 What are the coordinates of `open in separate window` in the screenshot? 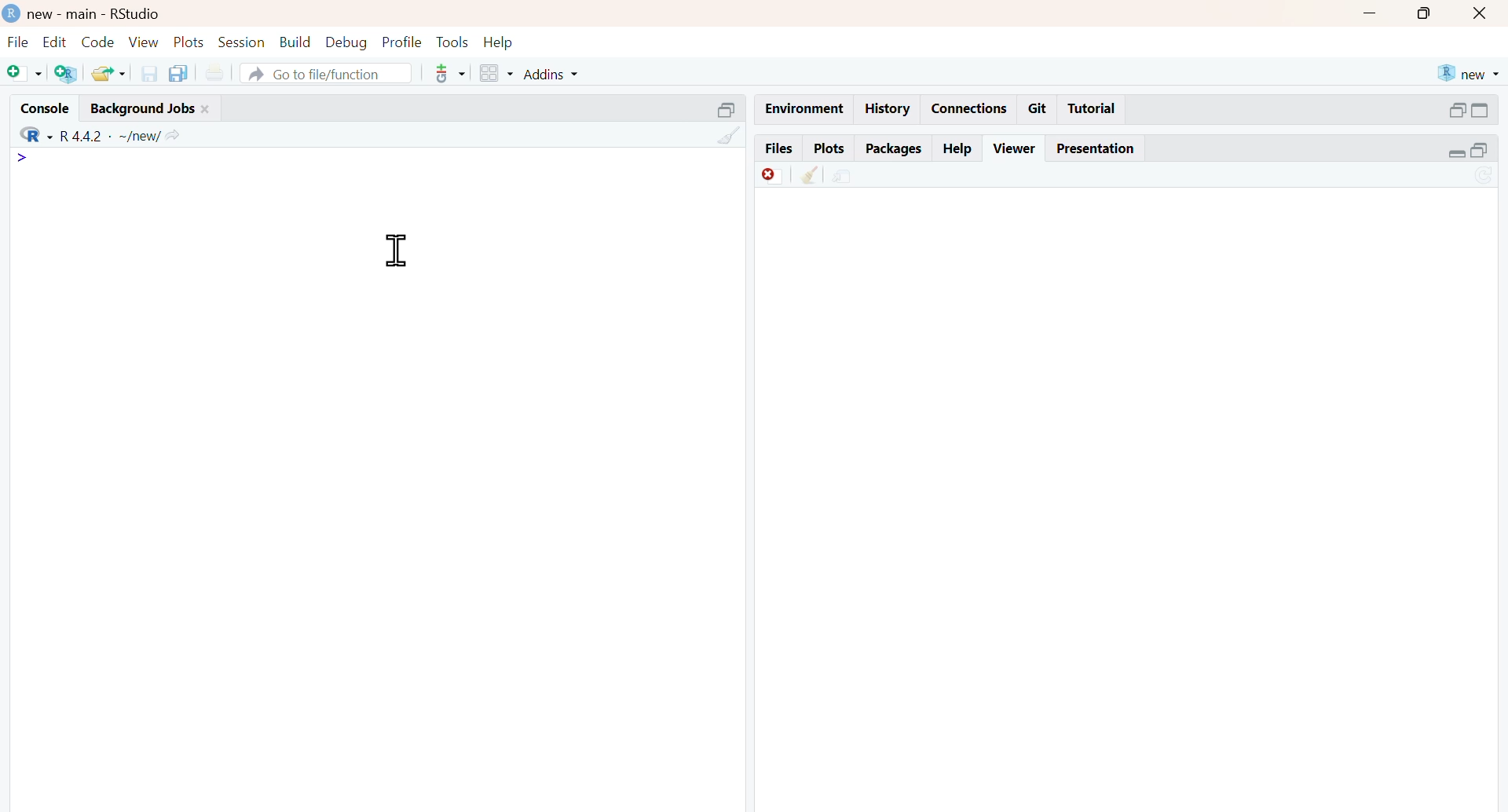 It's located at (1480, 150).